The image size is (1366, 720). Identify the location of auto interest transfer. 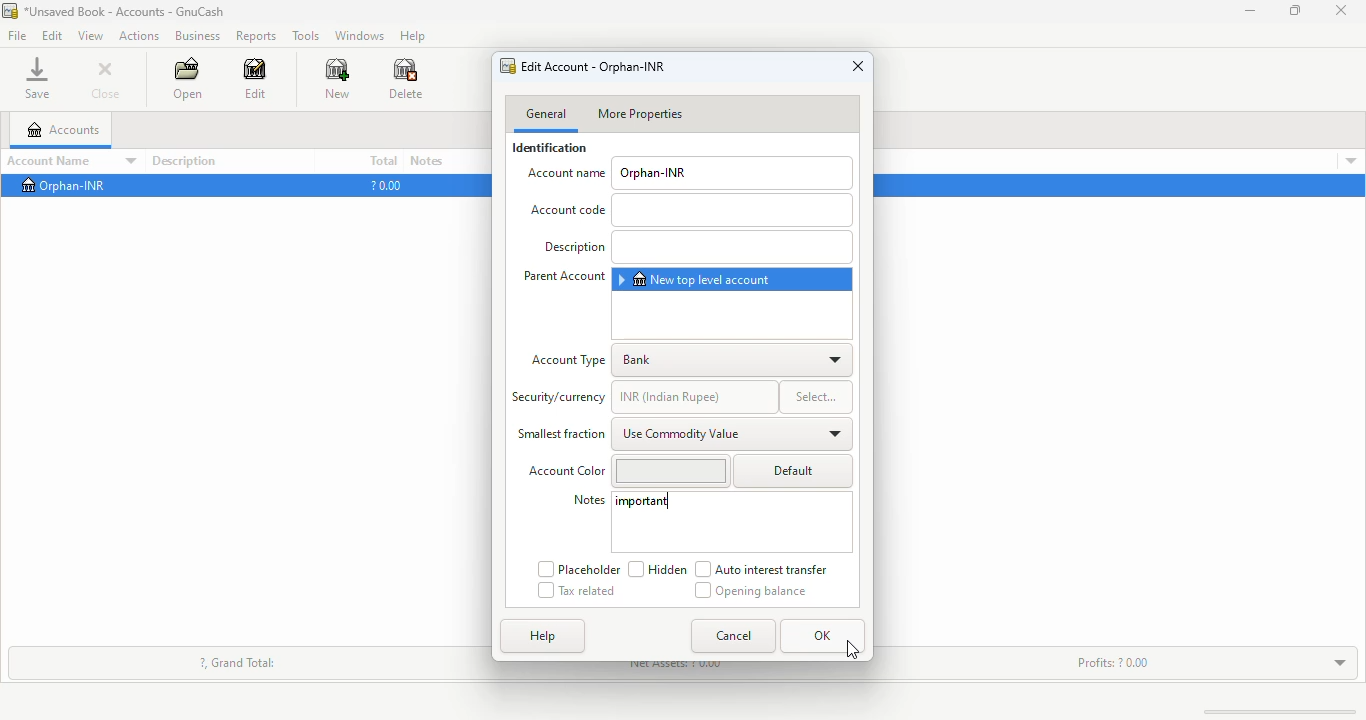
(762, 569).